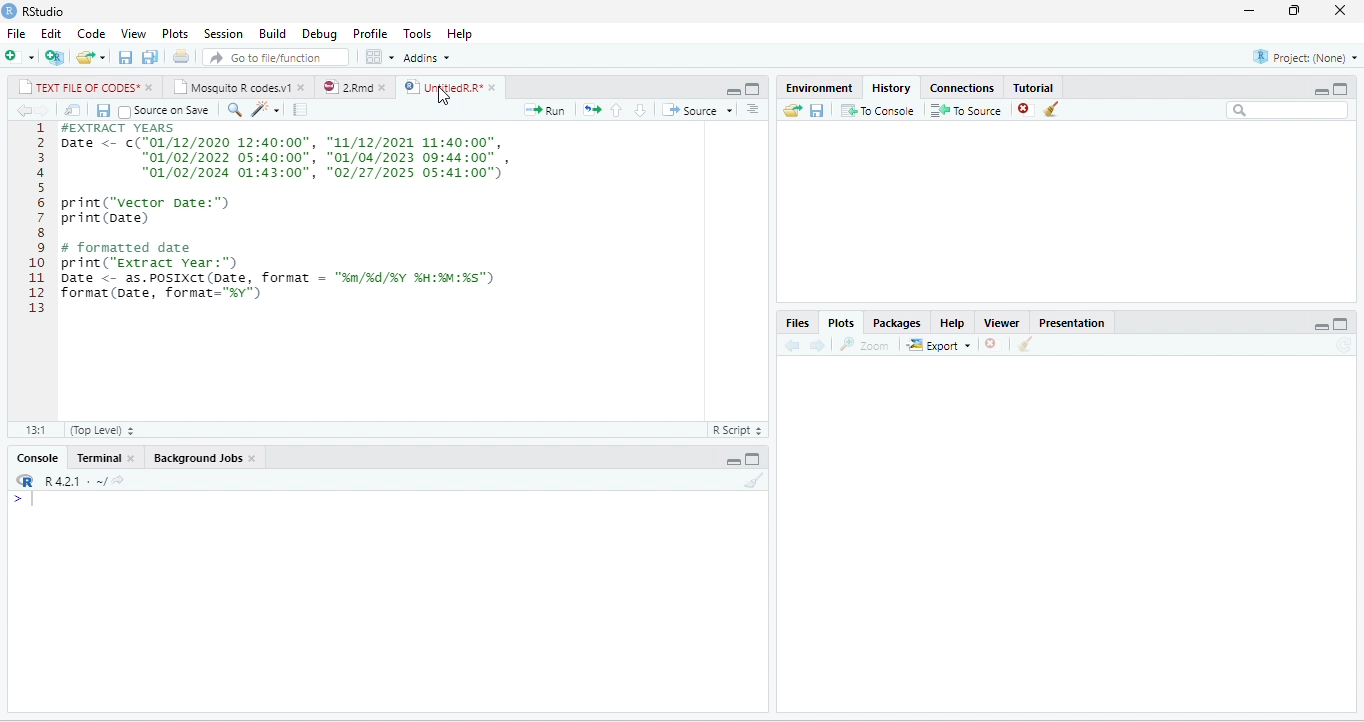  Describe the element at coordinates (37, 458) in the screenshot. I see `Console` at that location.